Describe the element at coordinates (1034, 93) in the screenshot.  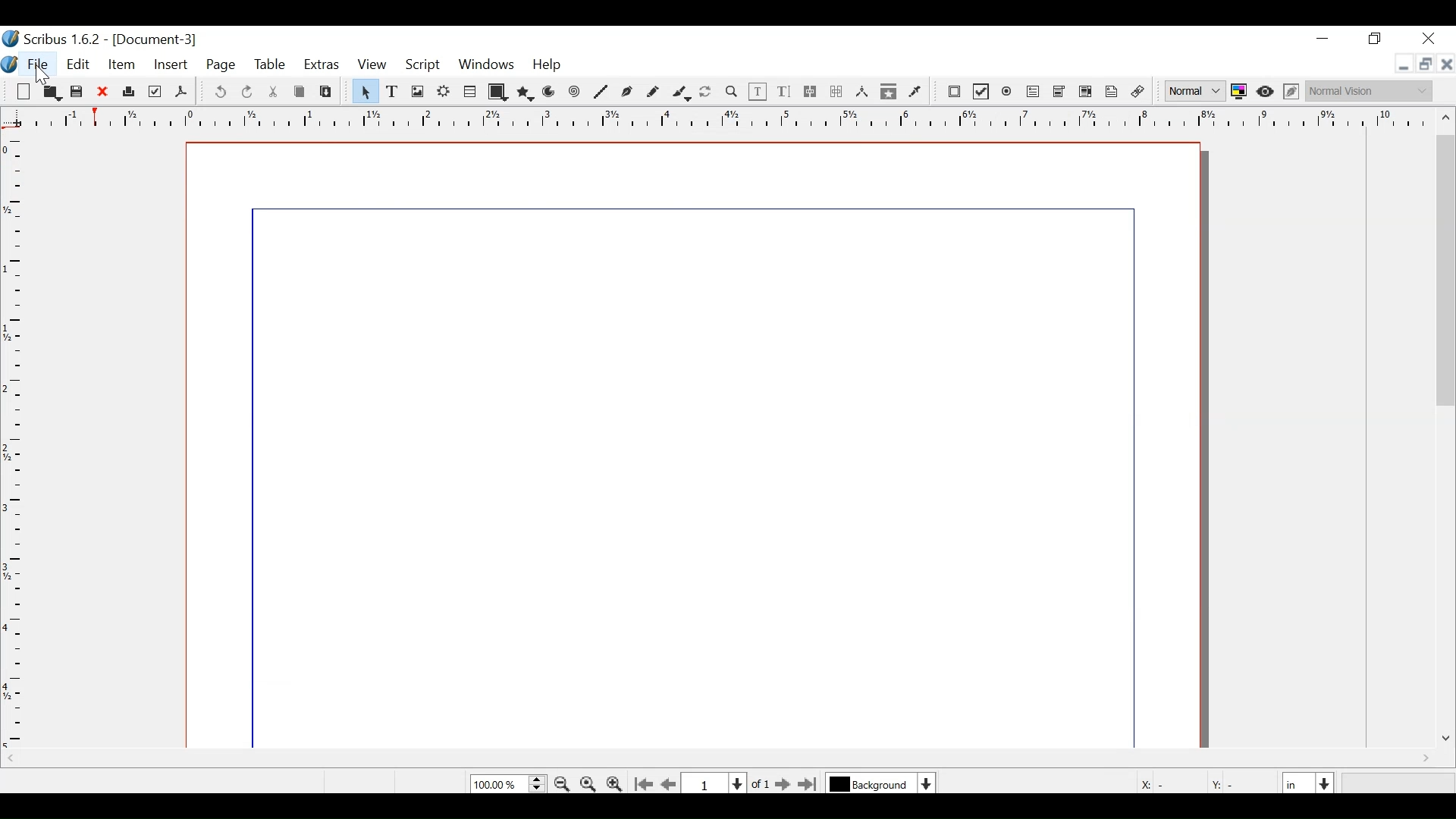
I see `PDF Text Field` at that location.